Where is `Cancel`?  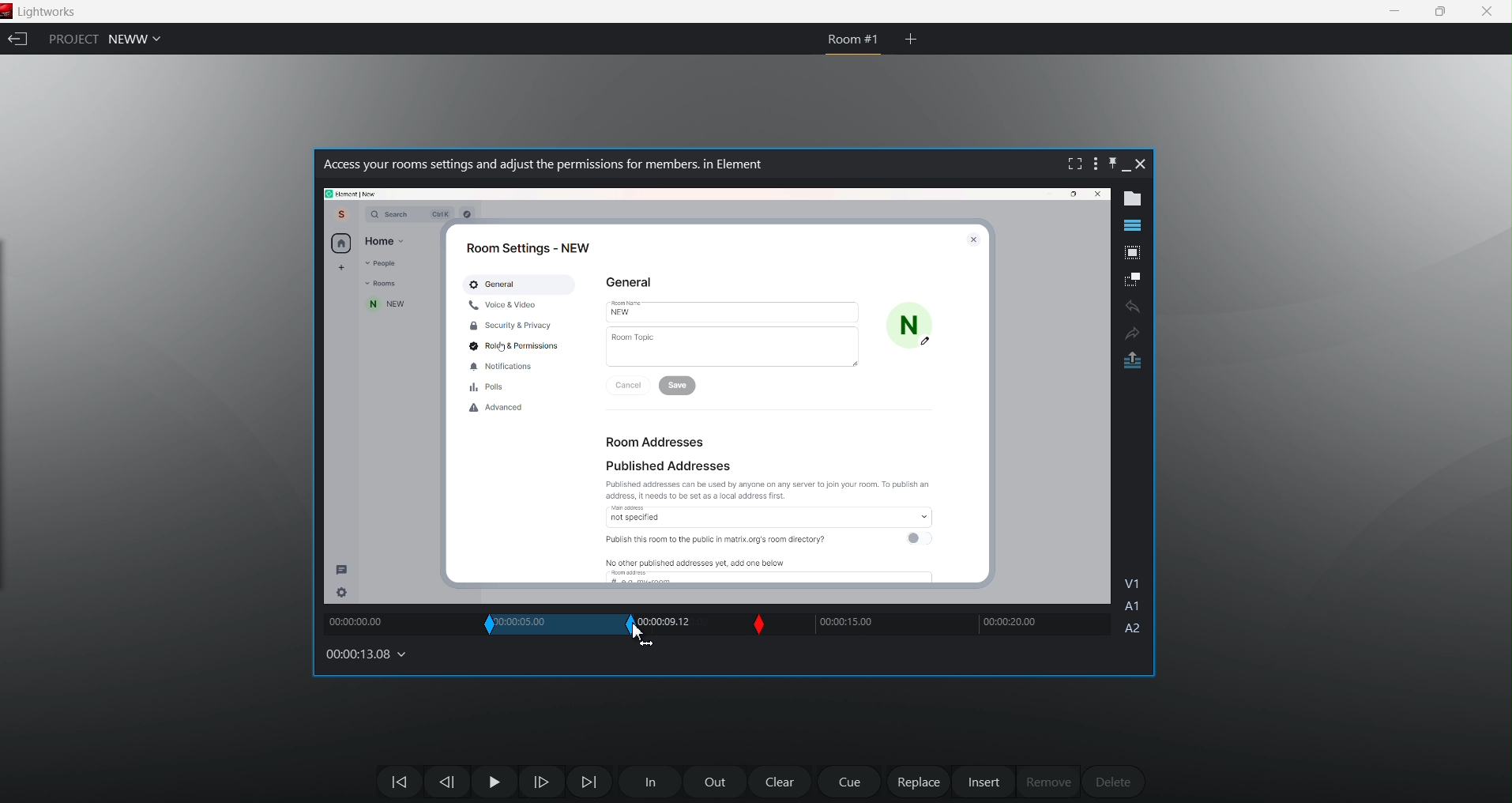 Cancel is located at coordinates (630, 383).